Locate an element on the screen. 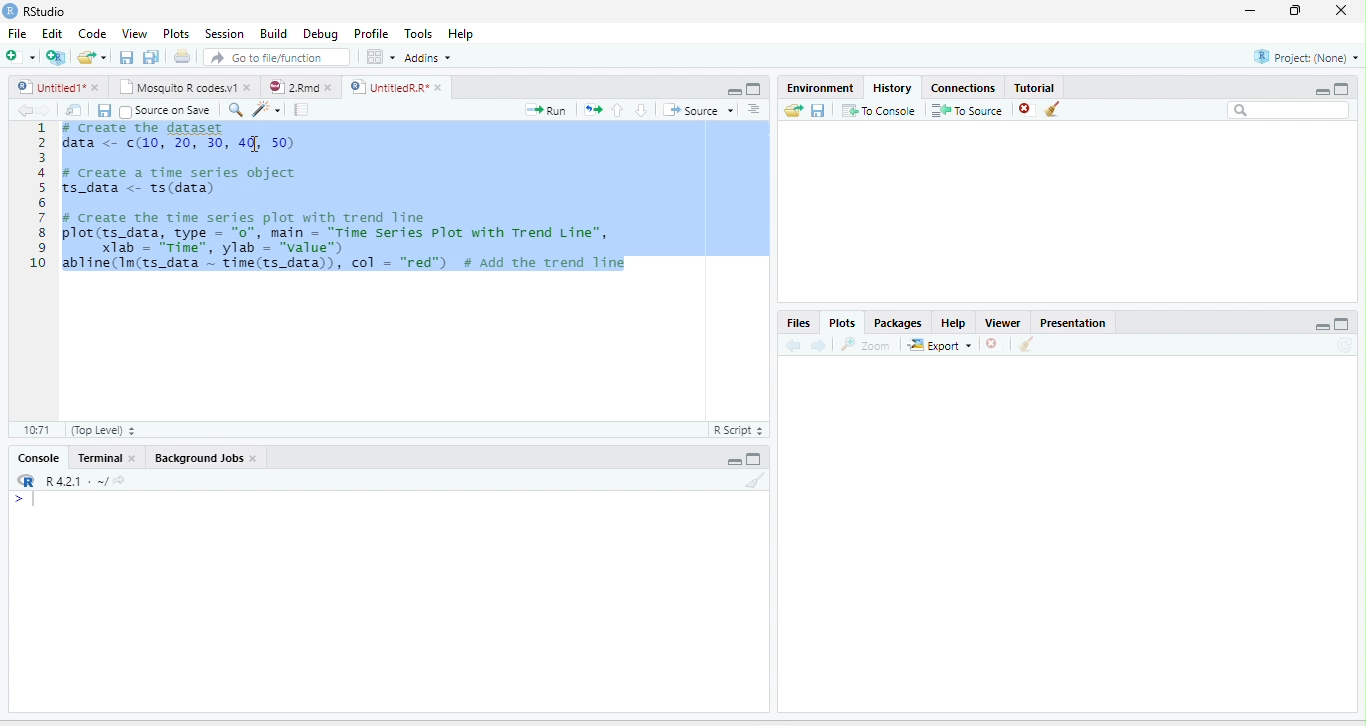 This screenshot has height=726, width=1366. Maximize is located at coordinates (1342, 88).